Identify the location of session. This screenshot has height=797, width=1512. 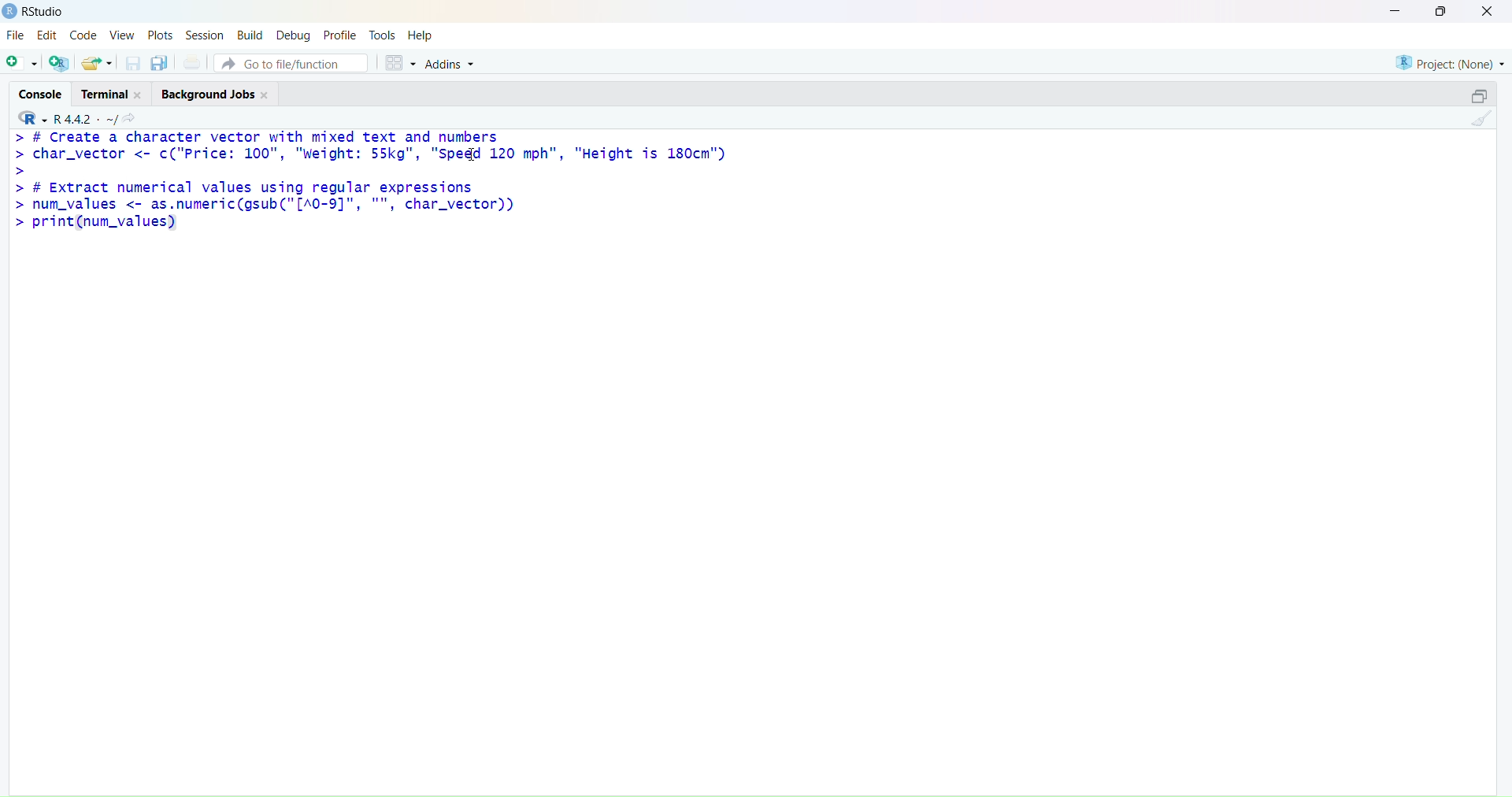
(206, 36).